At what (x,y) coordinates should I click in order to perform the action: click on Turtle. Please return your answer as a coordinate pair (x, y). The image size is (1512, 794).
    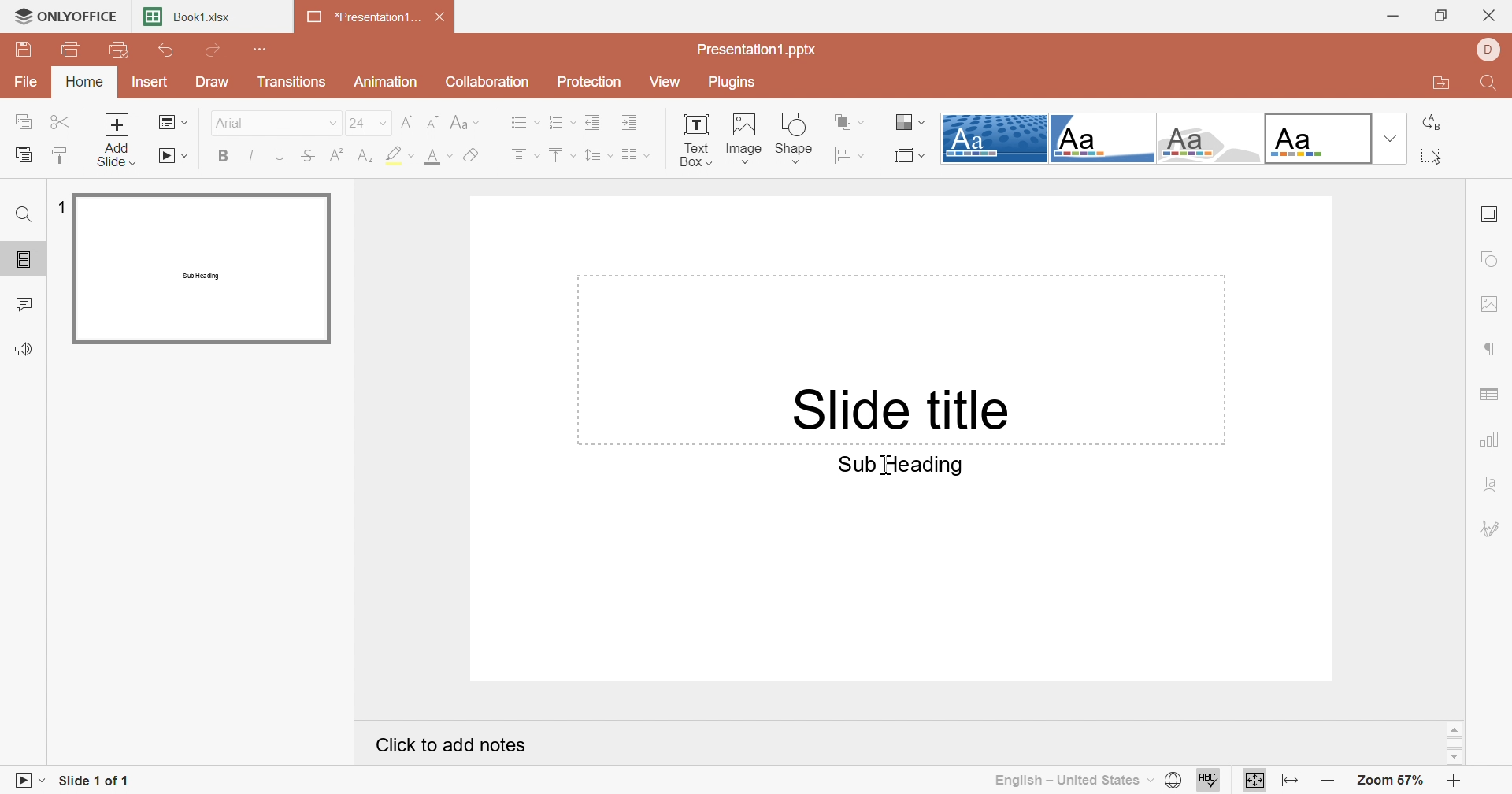
    Looking at the image, I should click on (1102, 137).